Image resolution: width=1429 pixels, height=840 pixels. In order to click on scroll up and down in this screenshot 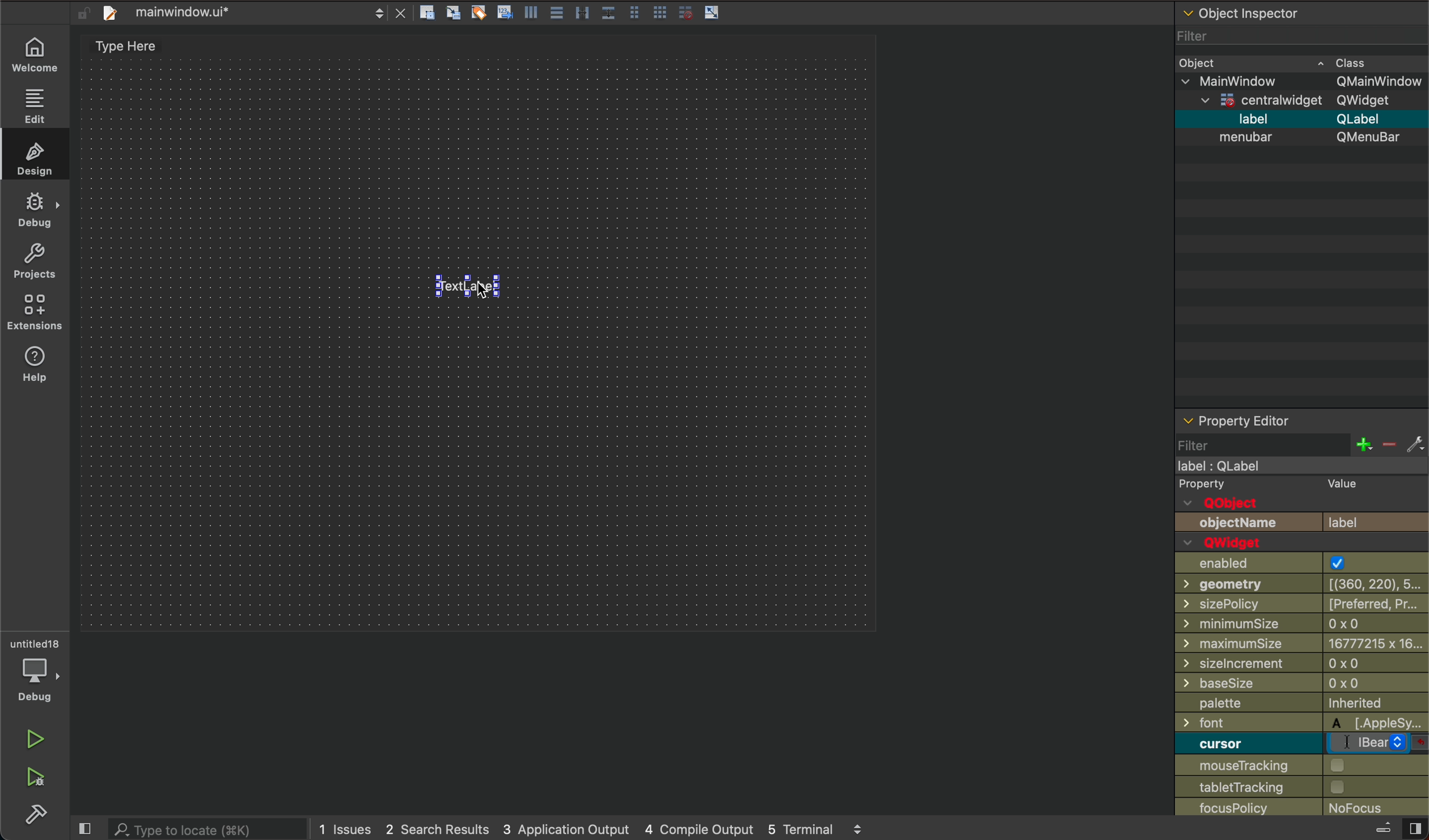, I will do `click(859, 828)`.